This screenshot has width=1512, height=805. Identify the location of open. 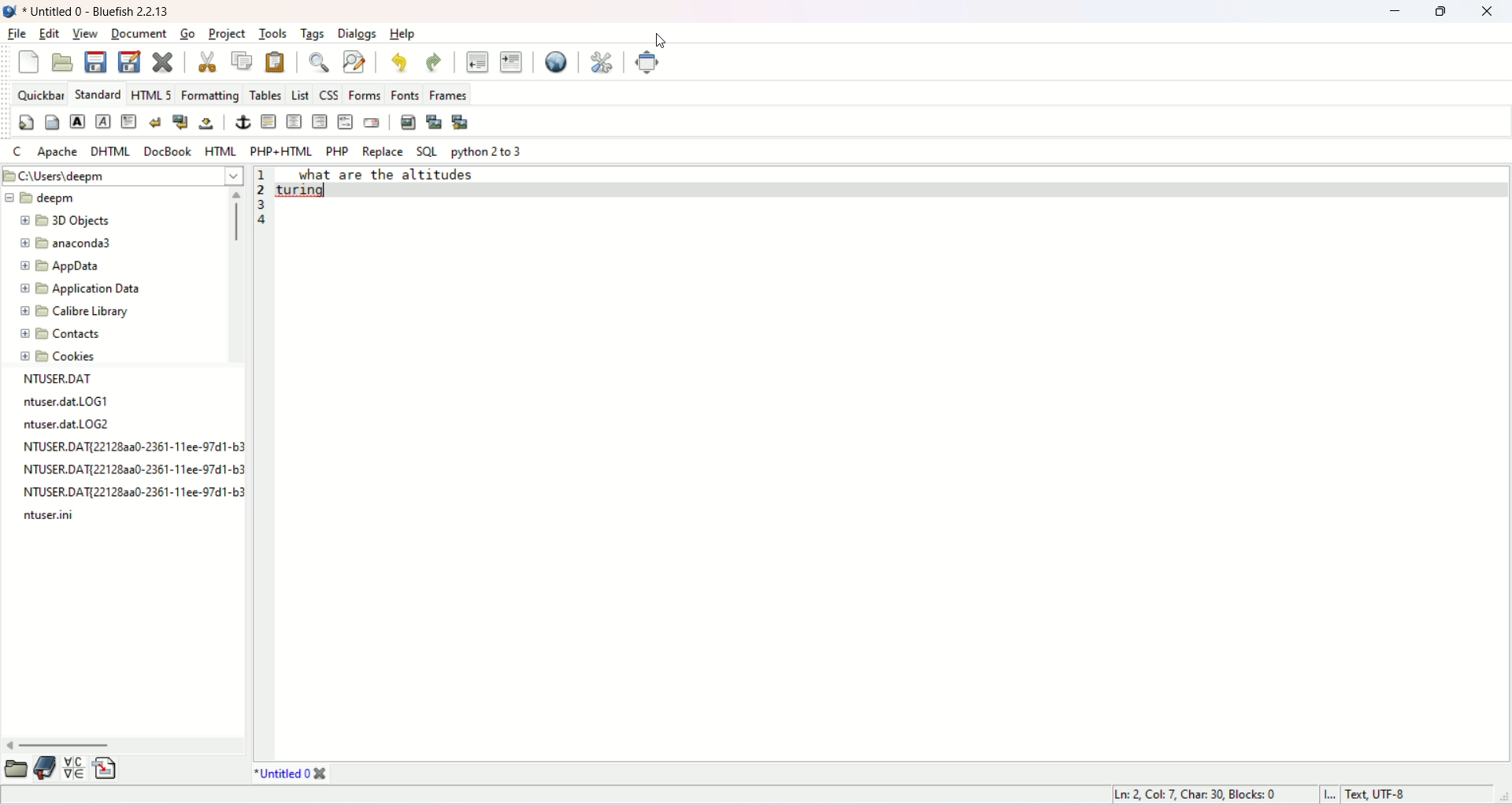
(63, 63).